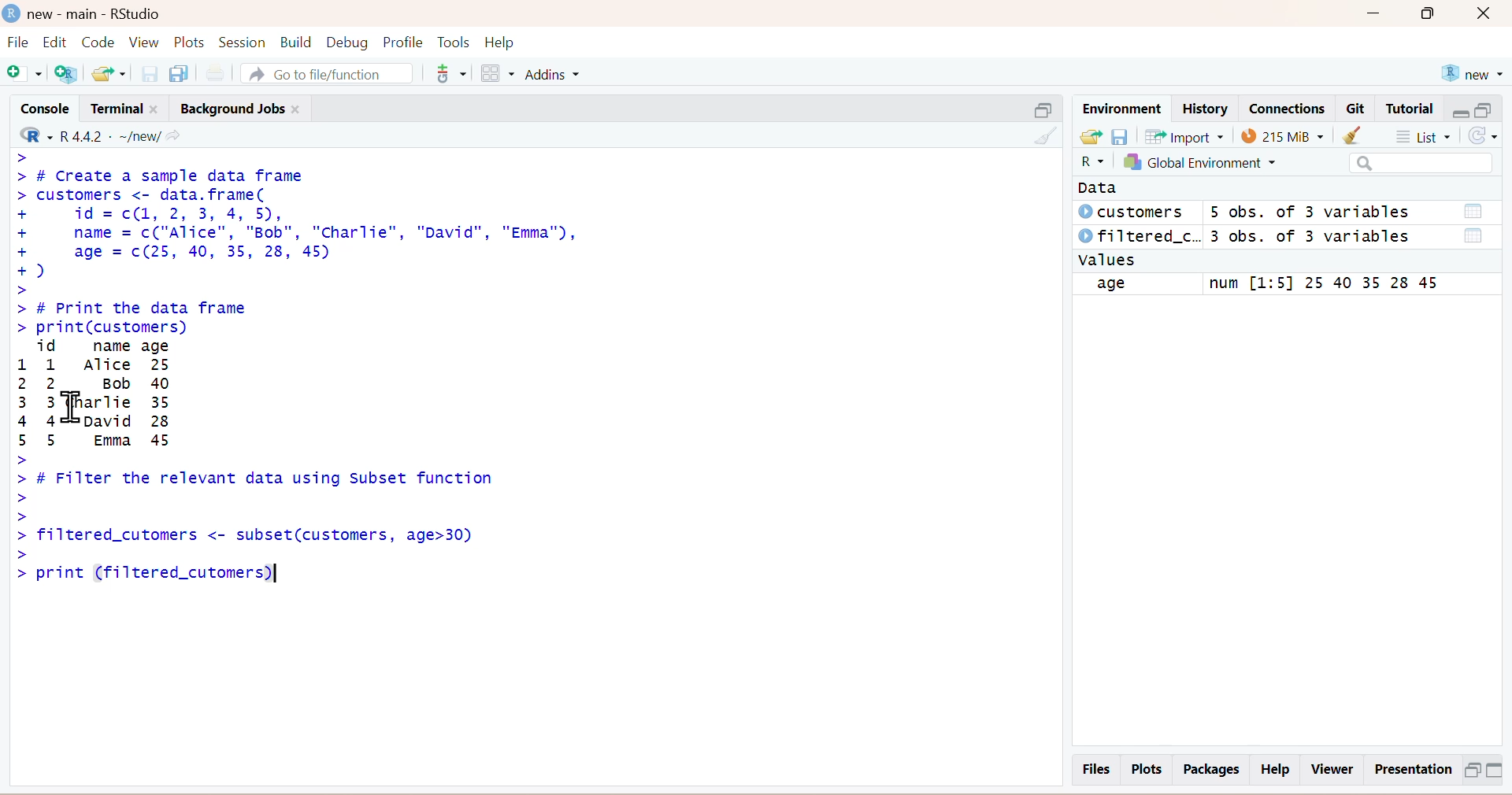 The image size is (1512, 795). What do you see at coordinates (1042, 135) in the screenshot?
I see `Clear Console` at bounding box center [1042, 135].